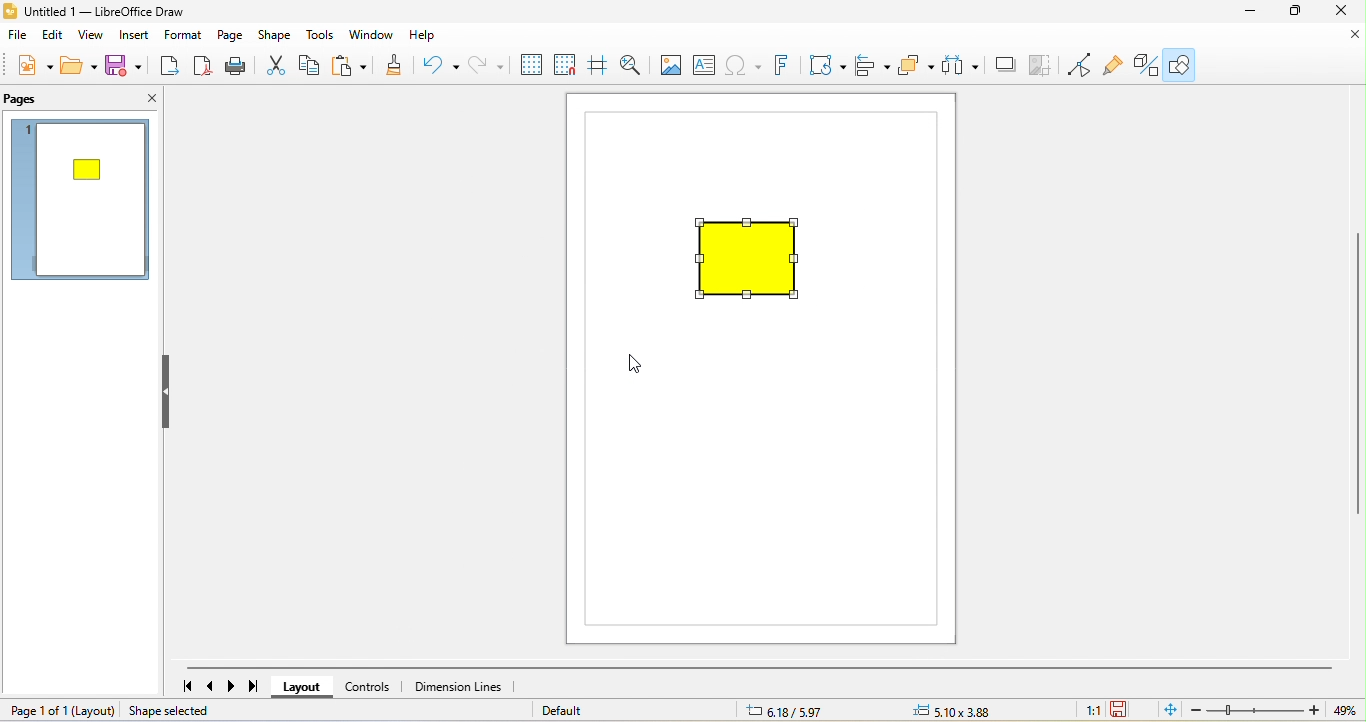 This screenshot has width=1366, height=722. I want to click on help, so click(432, 36).